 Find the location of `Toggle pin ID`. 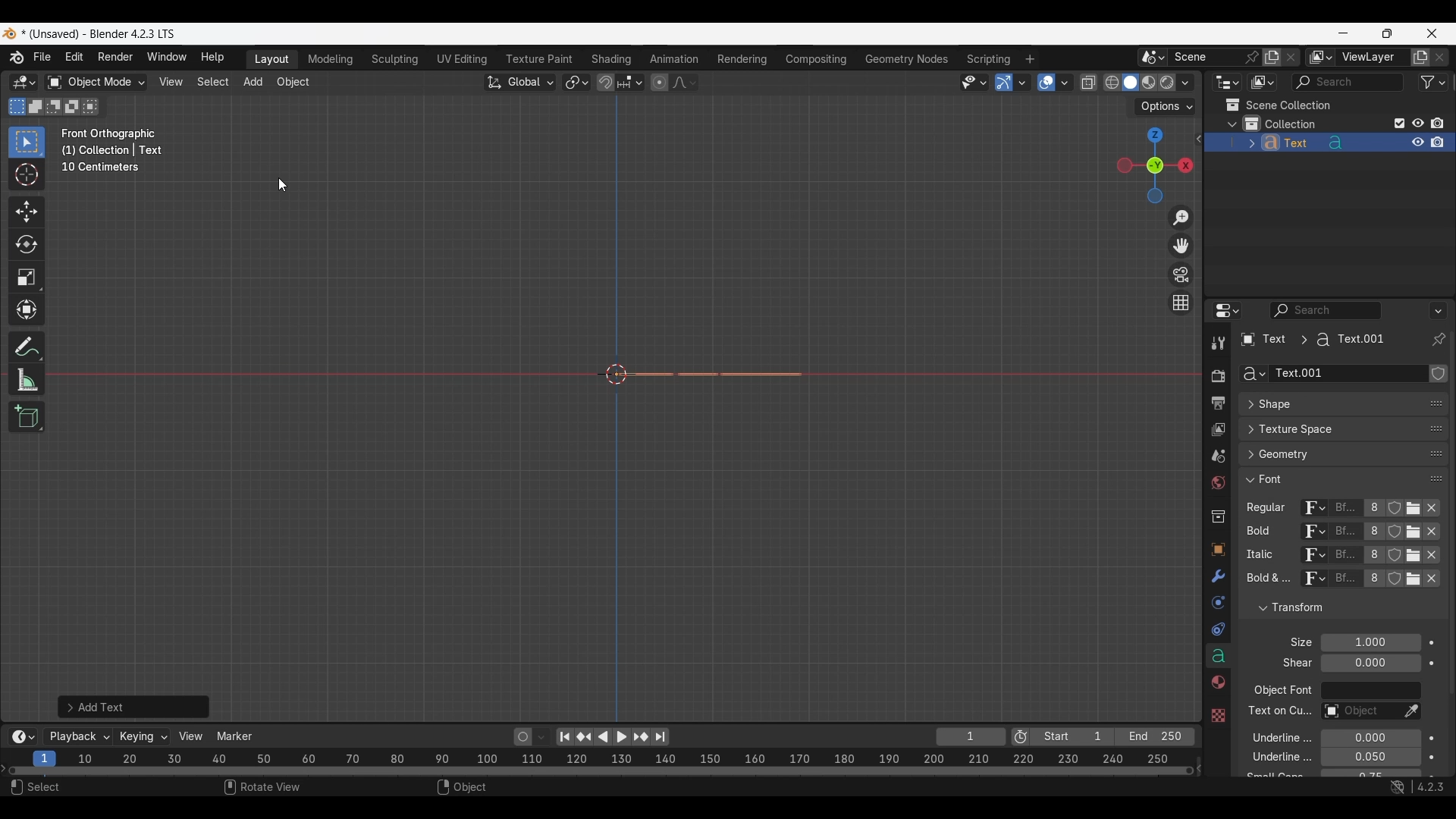

Toggle pin ID is located at coordinates (1438, 340).